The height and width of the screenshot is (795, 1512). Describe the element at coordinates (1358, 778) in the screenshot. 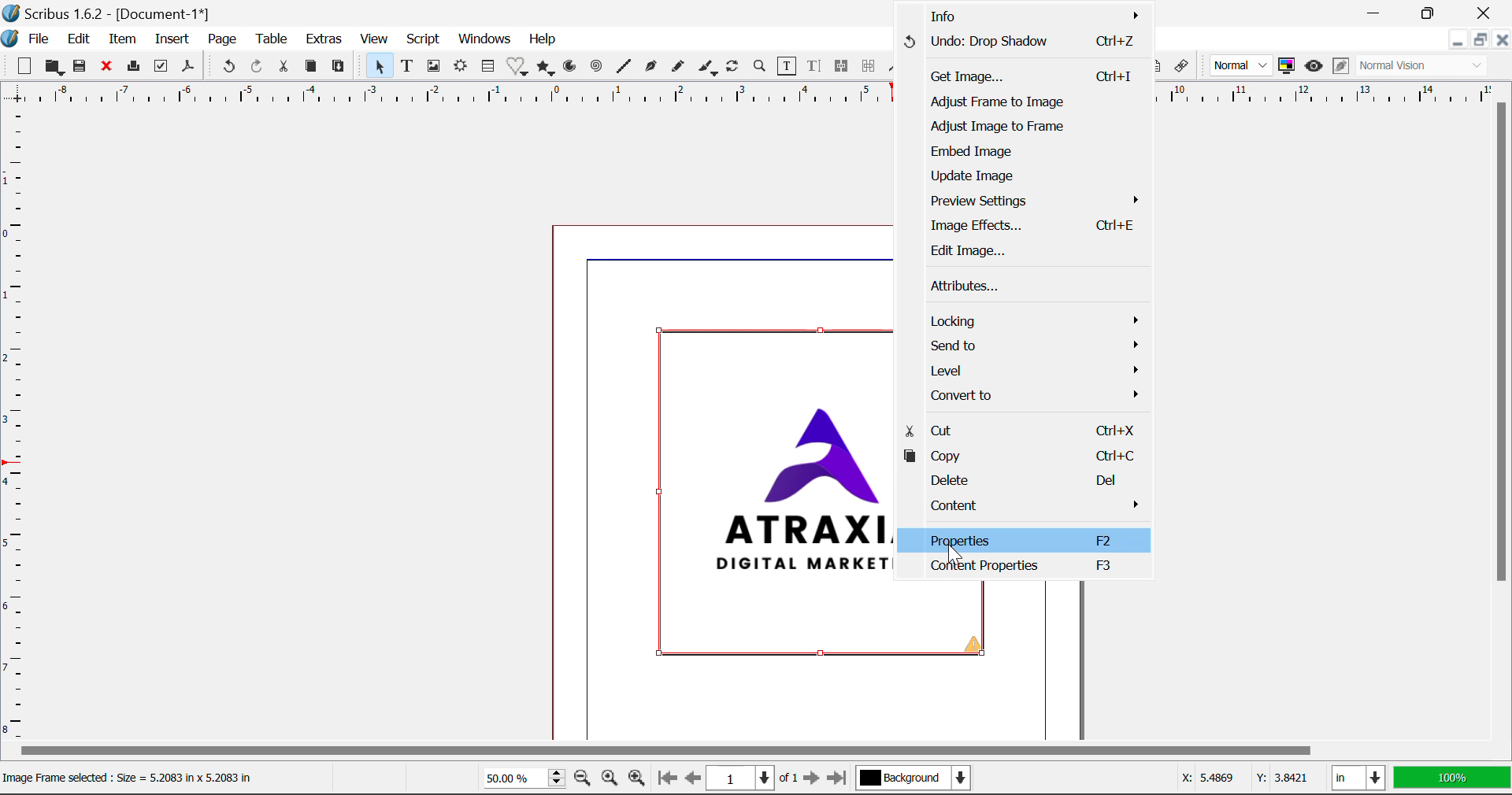

I see `in` at that location.